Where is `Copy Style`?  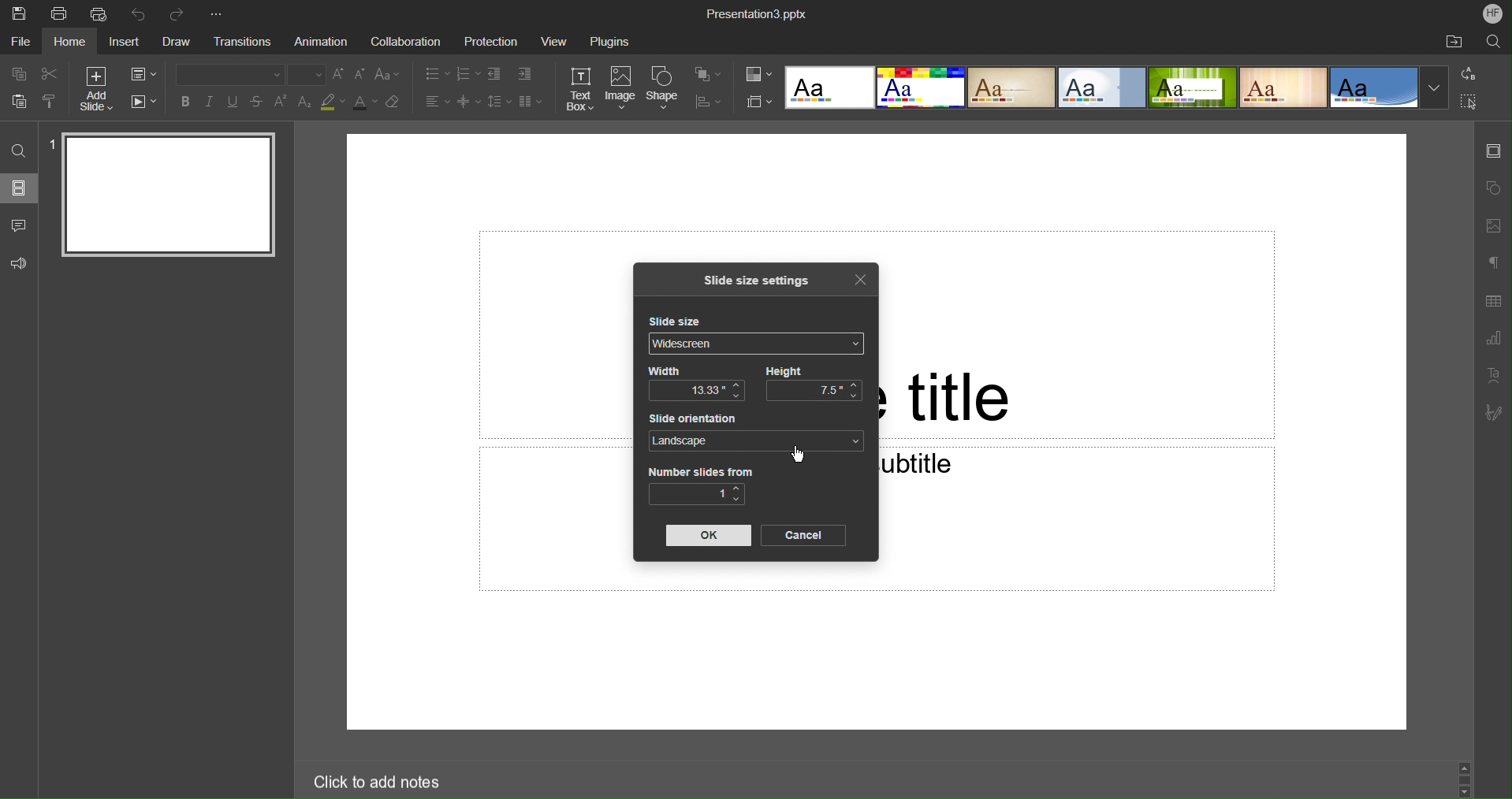
Copy Style is located at coordinates (51, 103).